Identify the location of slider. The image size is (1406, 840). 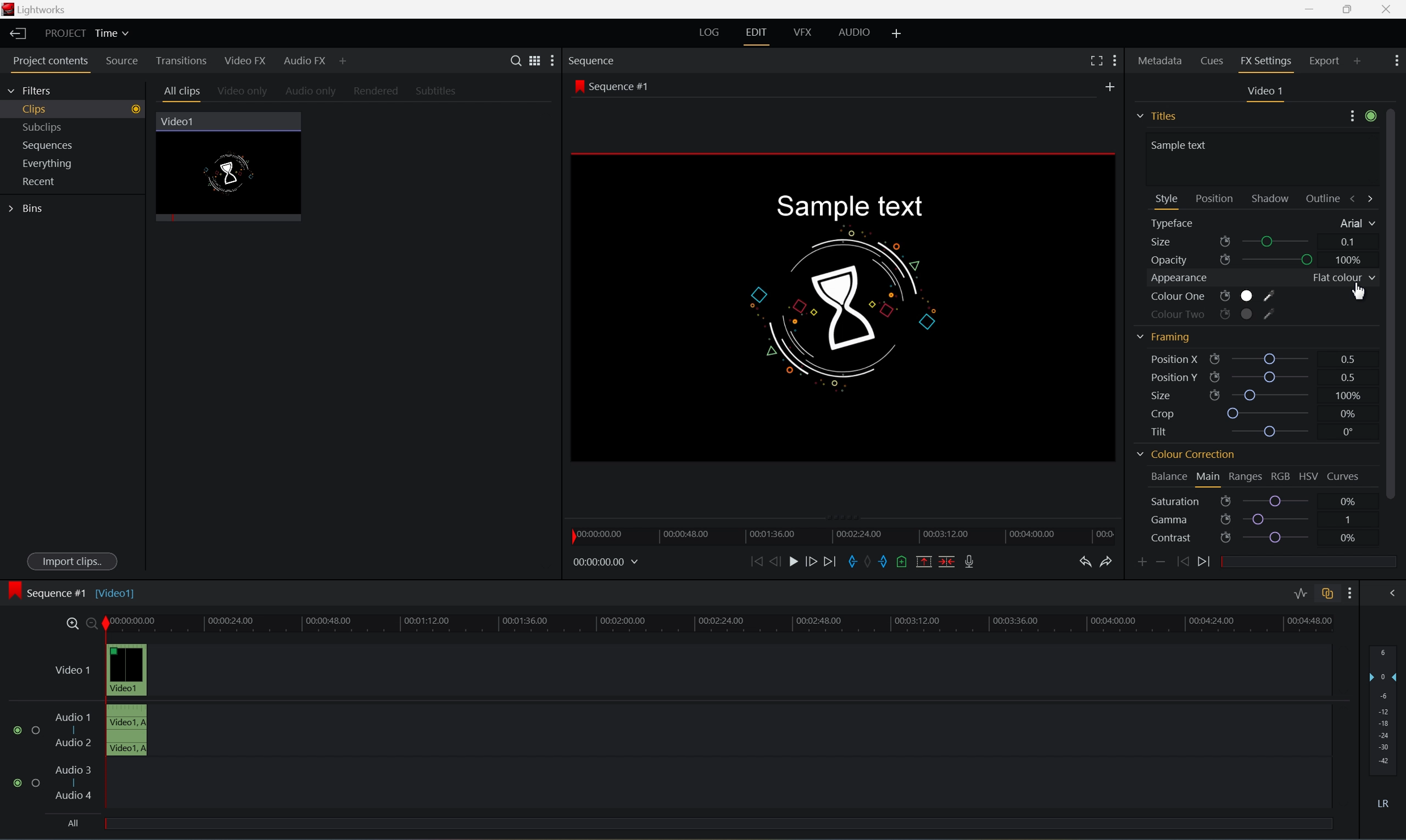
(1281, 242).